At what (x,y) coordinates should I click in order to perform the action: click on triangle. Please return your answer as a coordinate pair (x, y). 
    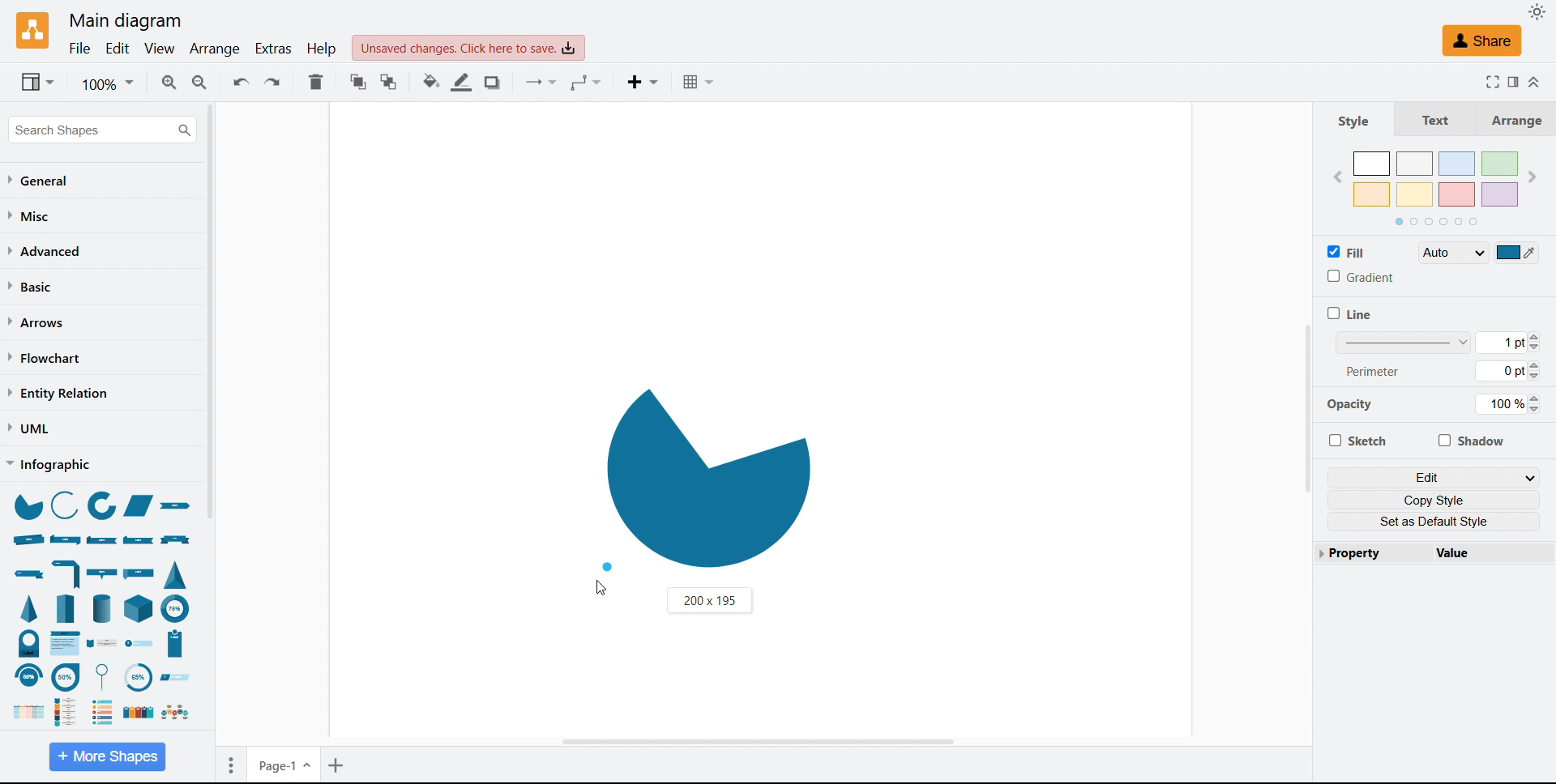
    Looking at the image, I should click on (176, 573).